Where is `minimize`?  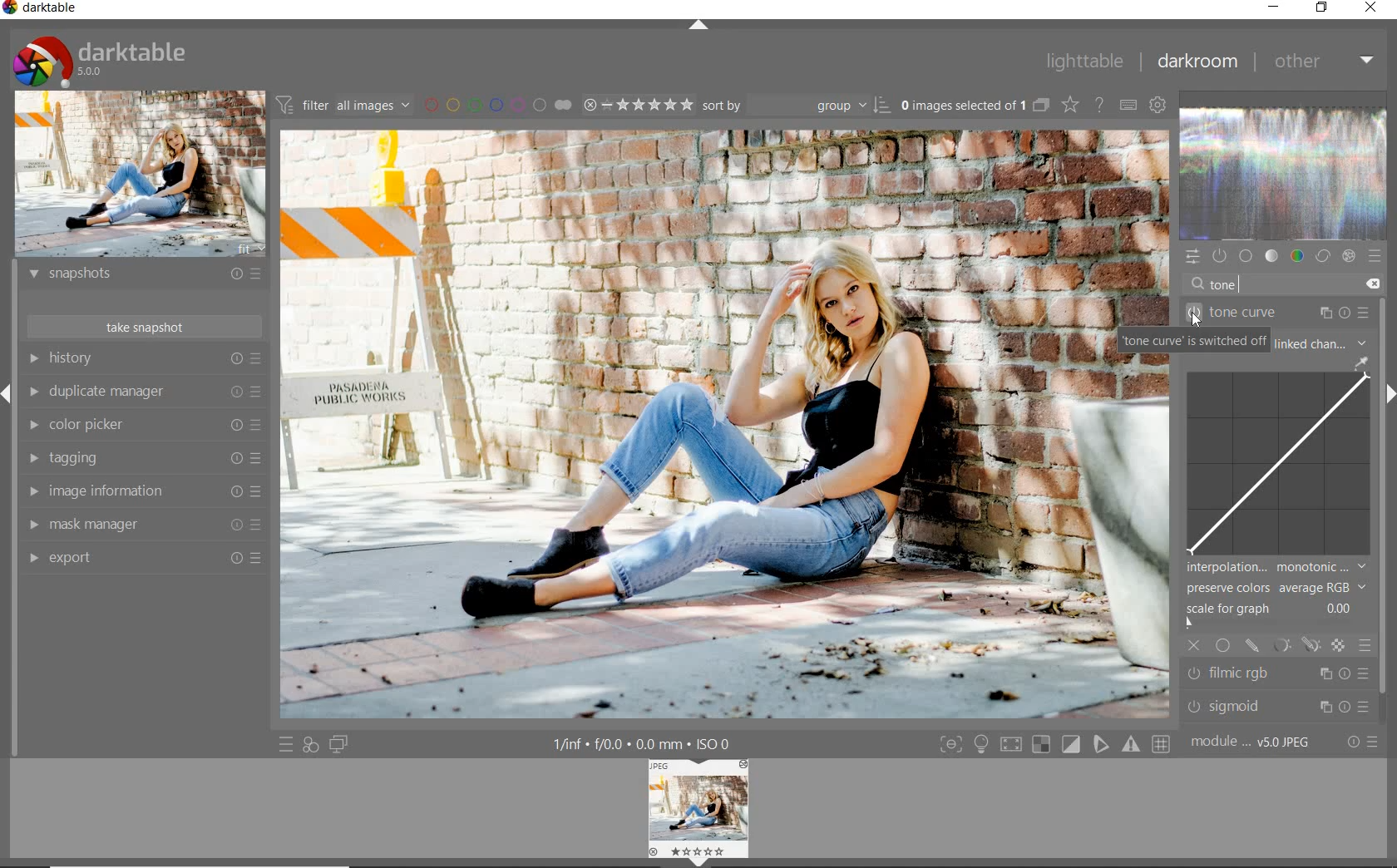
minimize is located at coordinates (1275, 7).